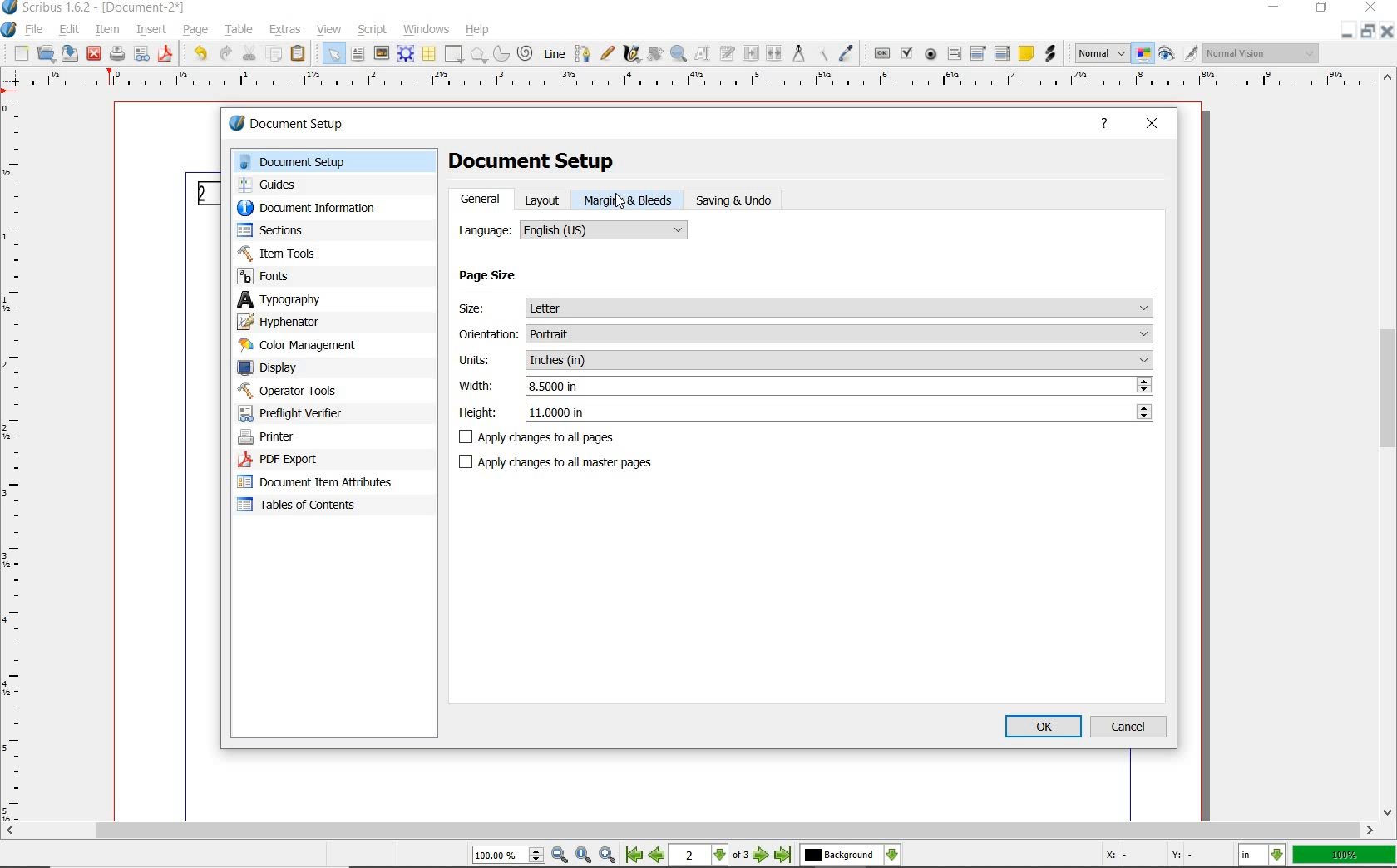  What do you see at coordinates (478, 31) in the screenshot?
I see `help` at bounding box center [478, 31].